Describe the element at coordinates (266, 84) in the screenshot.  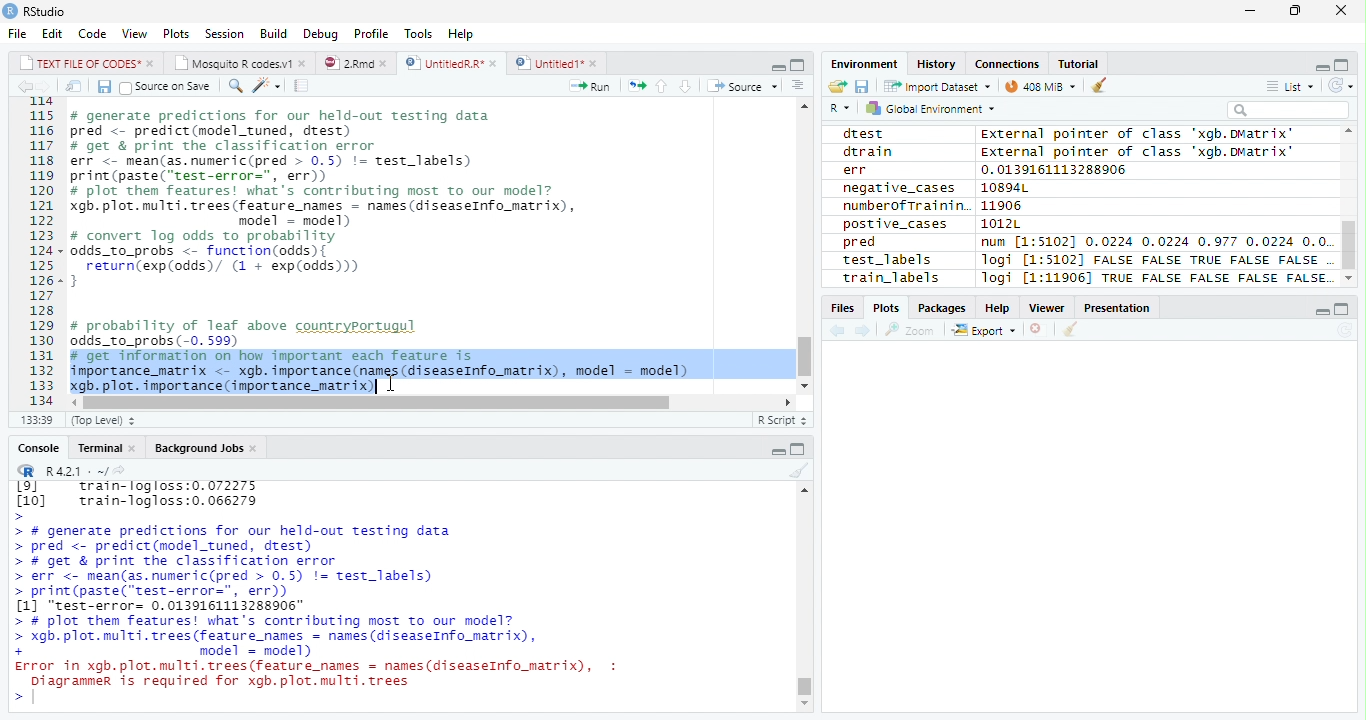
I see `Coding Tools` at that location.